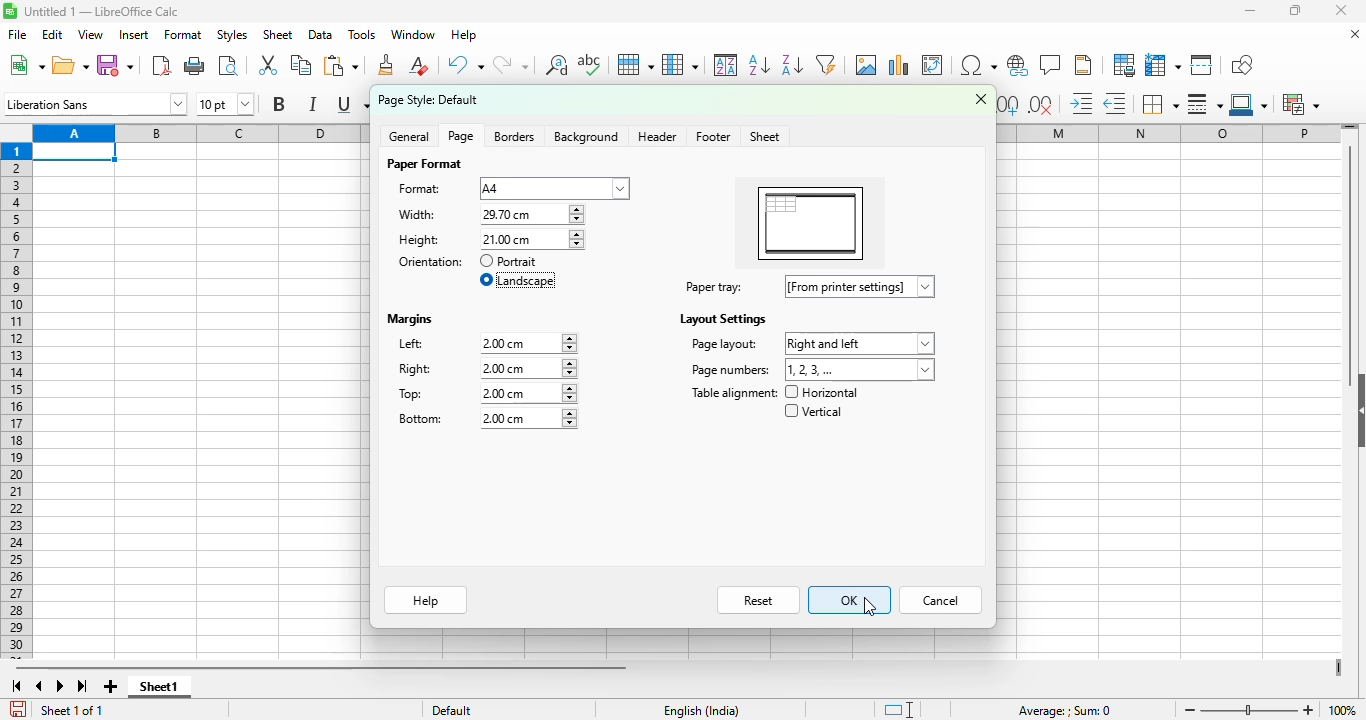 The image size is (1366, 720). Describe the element at coordinates (511, 64) in the screenshot. I see `redo` at that location.